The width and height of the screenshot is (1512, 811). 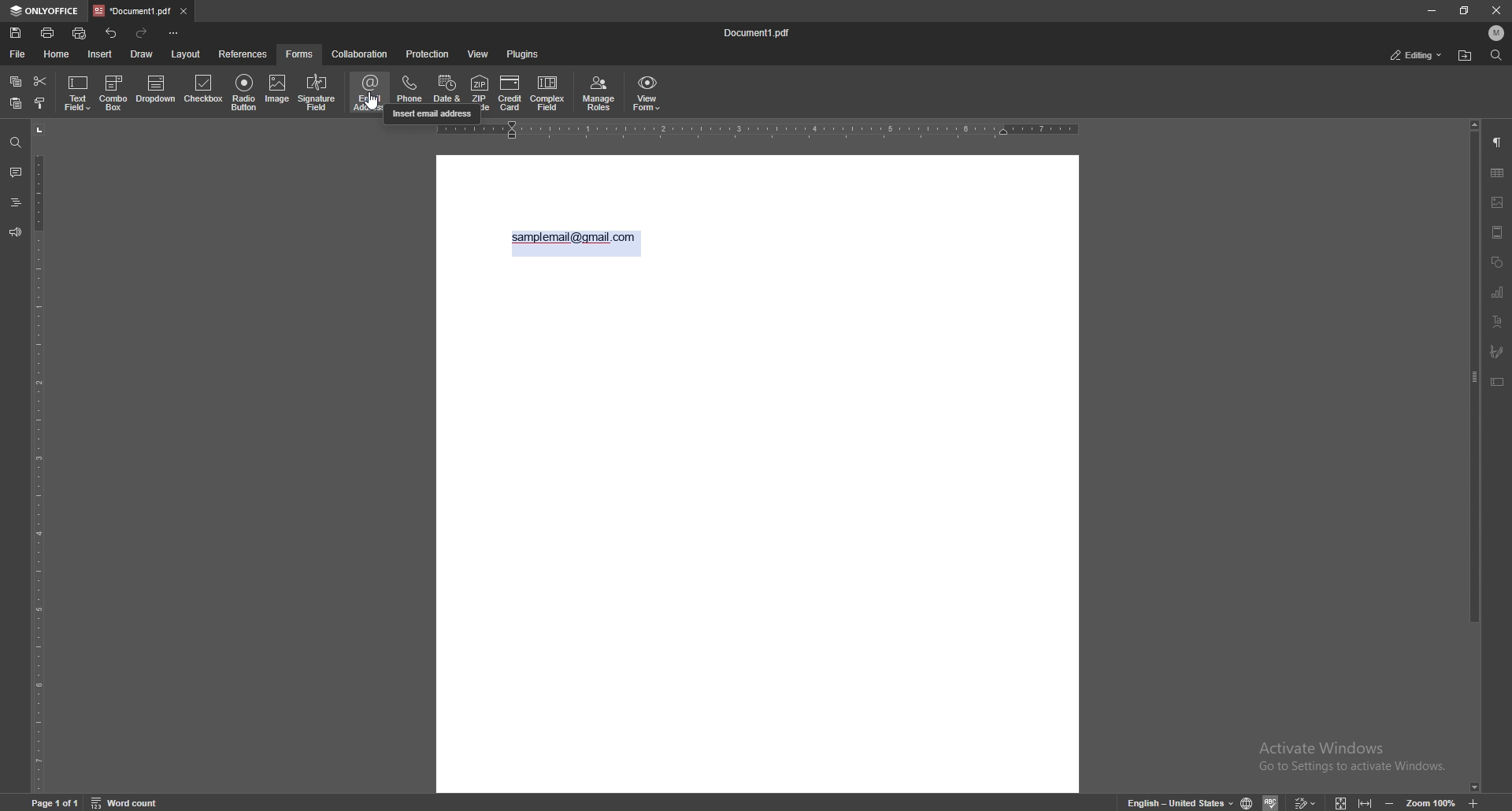 What do you see at coordinates (141, 54) in the screenshot?
I see `draw` at bounding box center [141, 54].